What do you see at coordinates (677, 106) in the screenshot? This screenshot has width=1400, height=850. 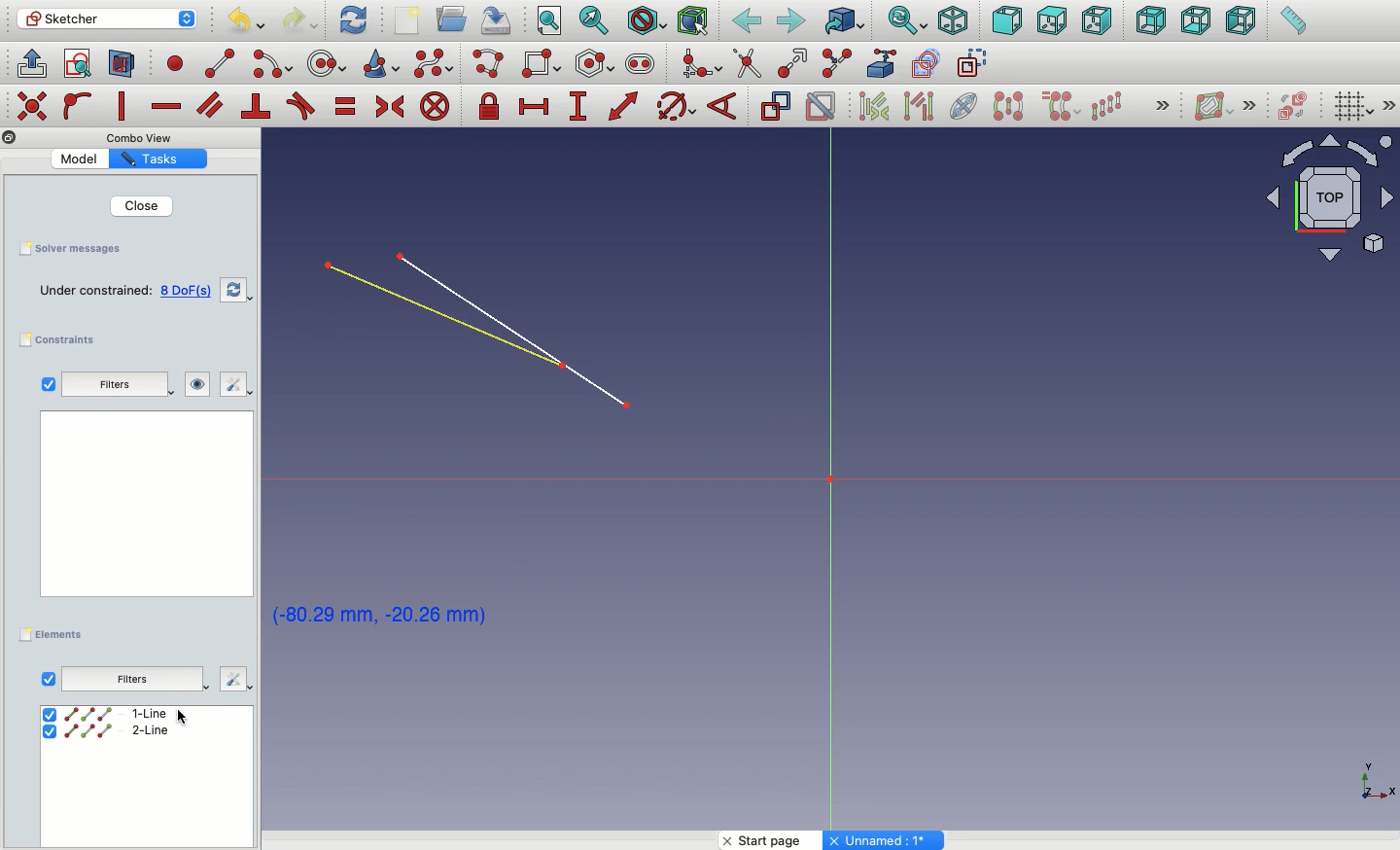 I see `Constrain Circle` at bounding box center [677, 106].